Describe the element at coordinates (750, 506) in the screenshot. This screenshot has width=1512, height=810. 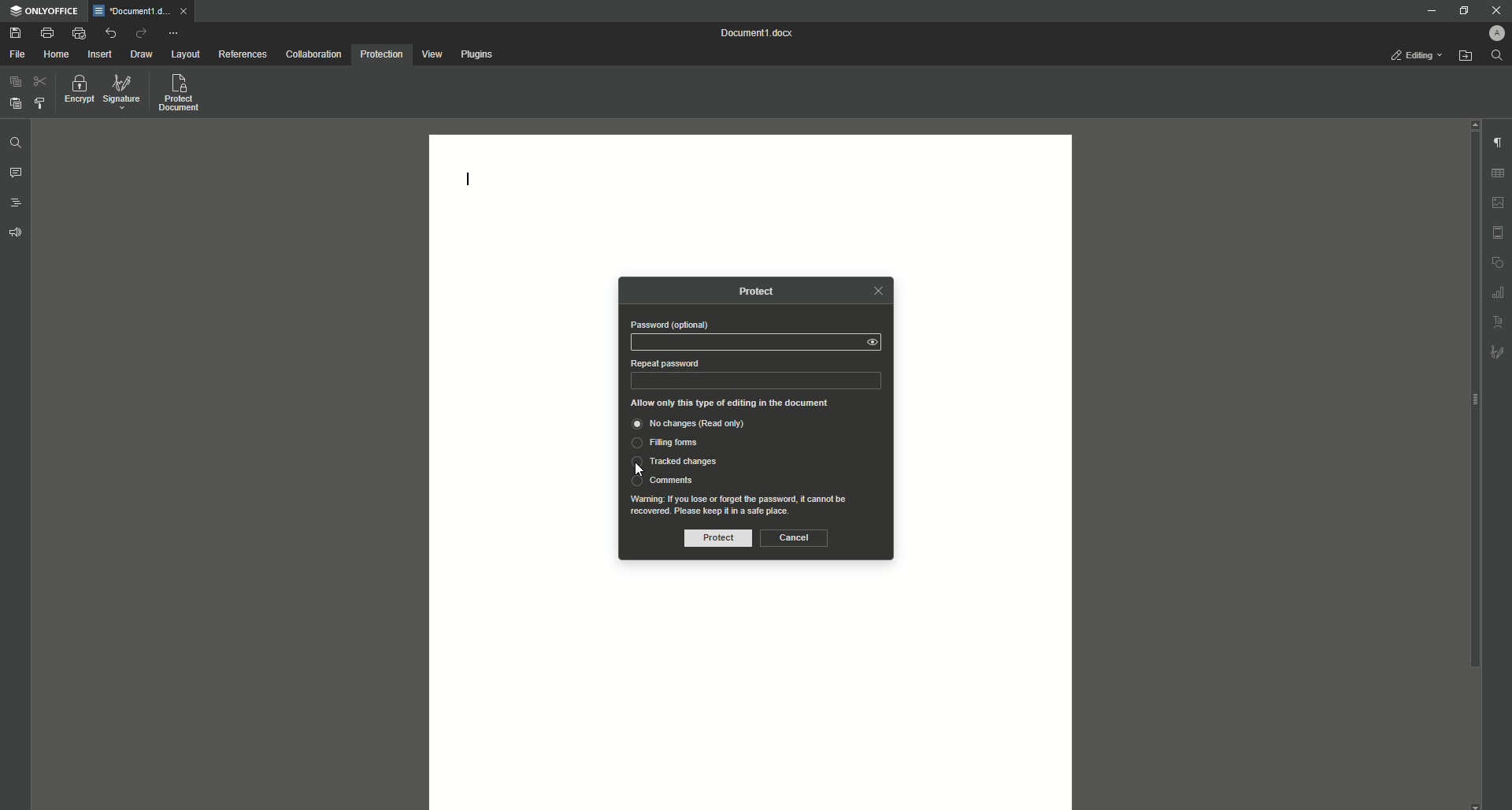
I see `Waning: If you lose or forget the password, it cannot berecovered. Please keep it in a safe place.` at that location.